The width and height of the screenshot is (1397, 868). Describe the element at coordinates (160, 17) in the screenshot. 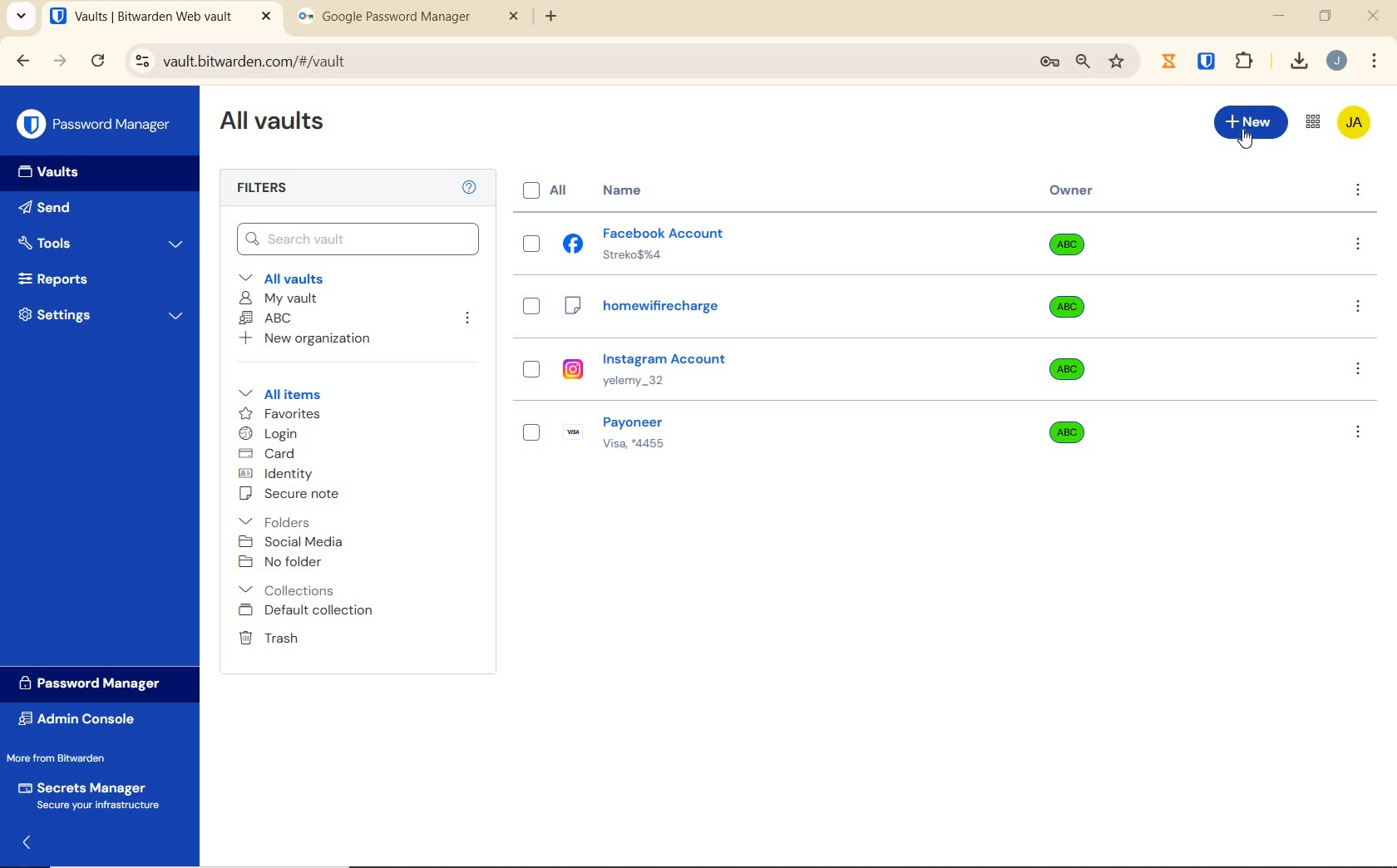

I see `open tab` at that location.